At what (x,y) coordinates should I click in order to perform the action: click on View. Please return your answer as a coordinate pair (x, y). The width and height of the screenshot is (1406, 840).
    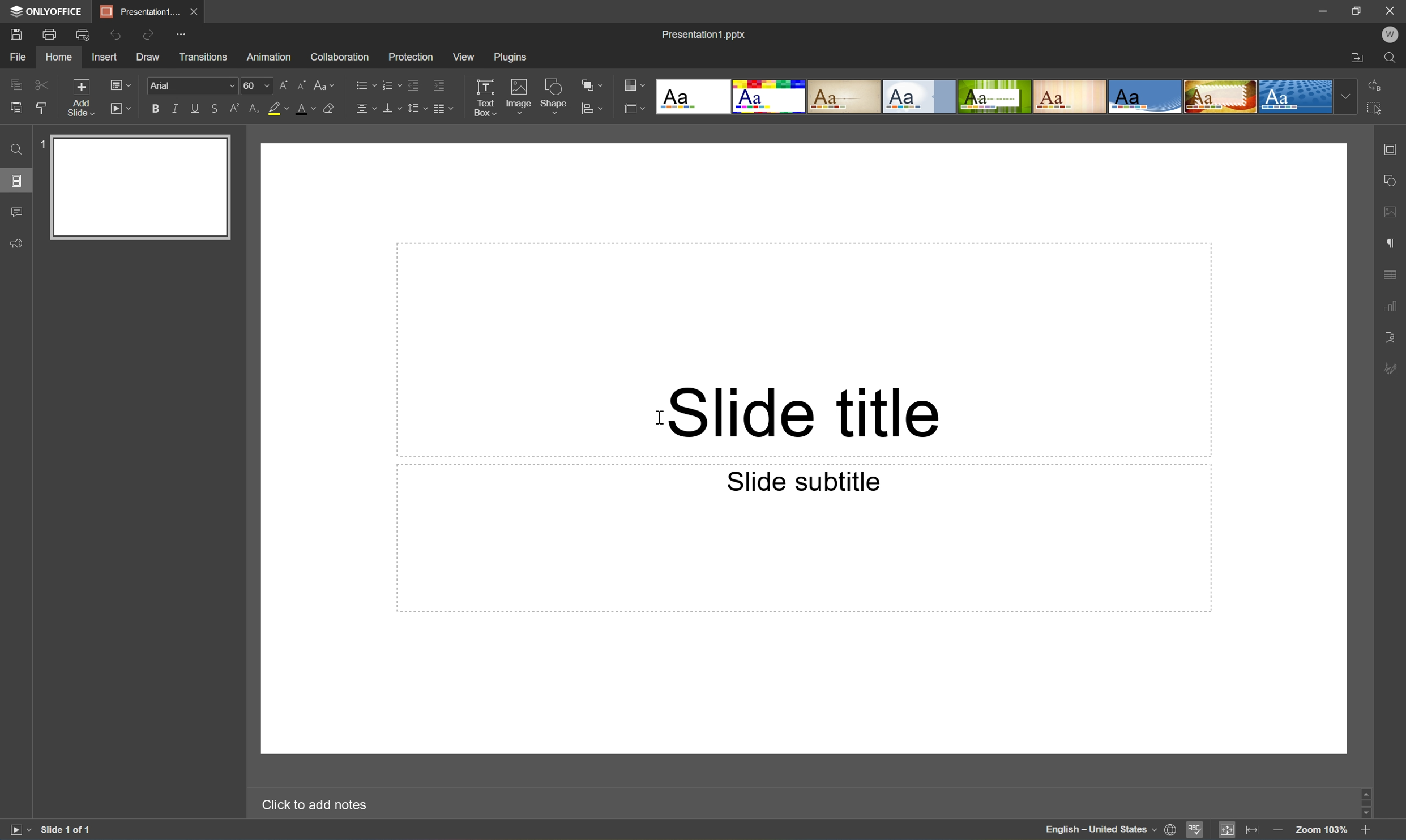
    Looking at the image, I should click on (464, 57).